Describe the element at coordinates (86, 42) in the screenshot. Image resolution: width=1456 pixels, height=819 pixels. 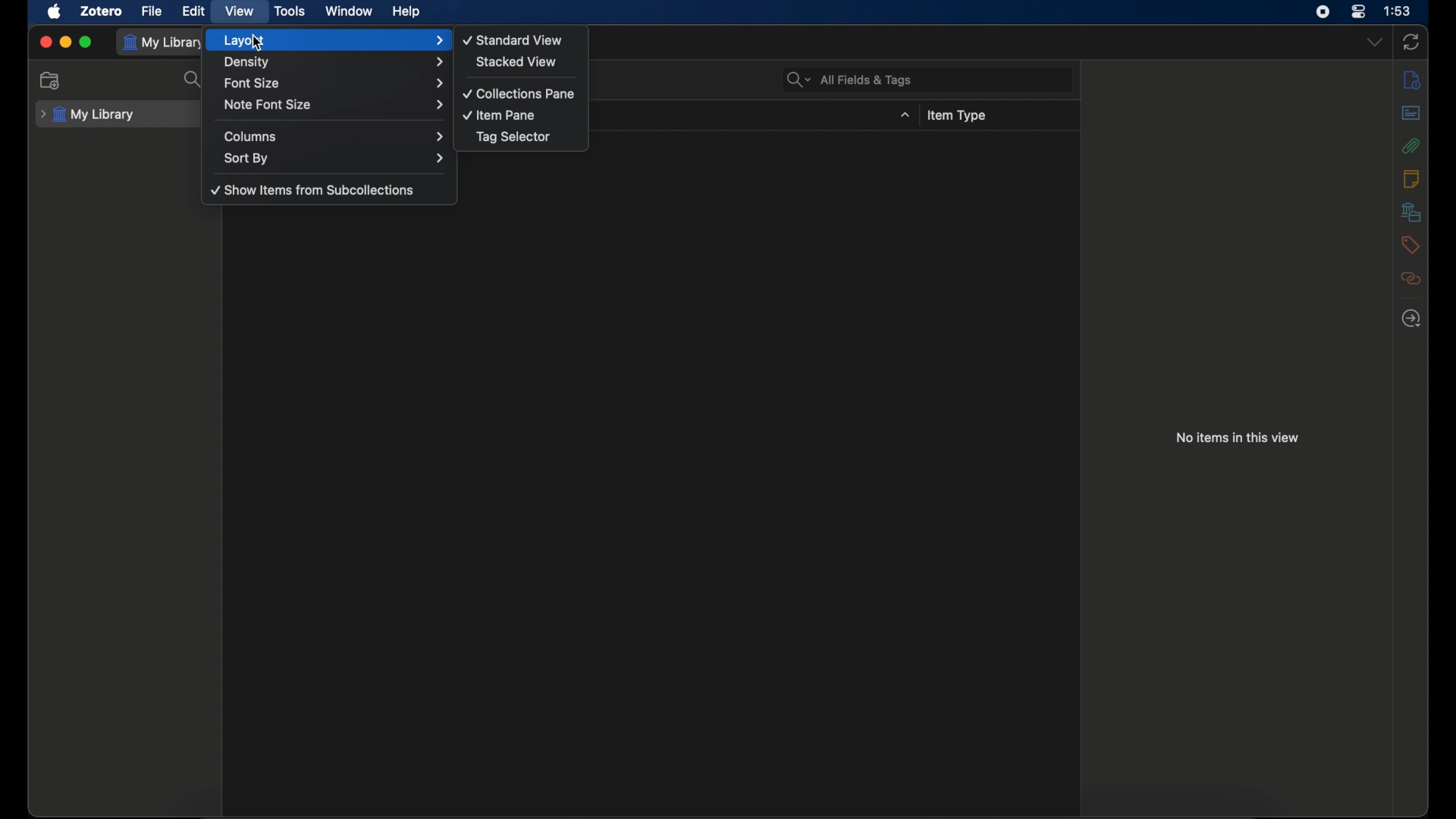
I see `maximize` at that location.